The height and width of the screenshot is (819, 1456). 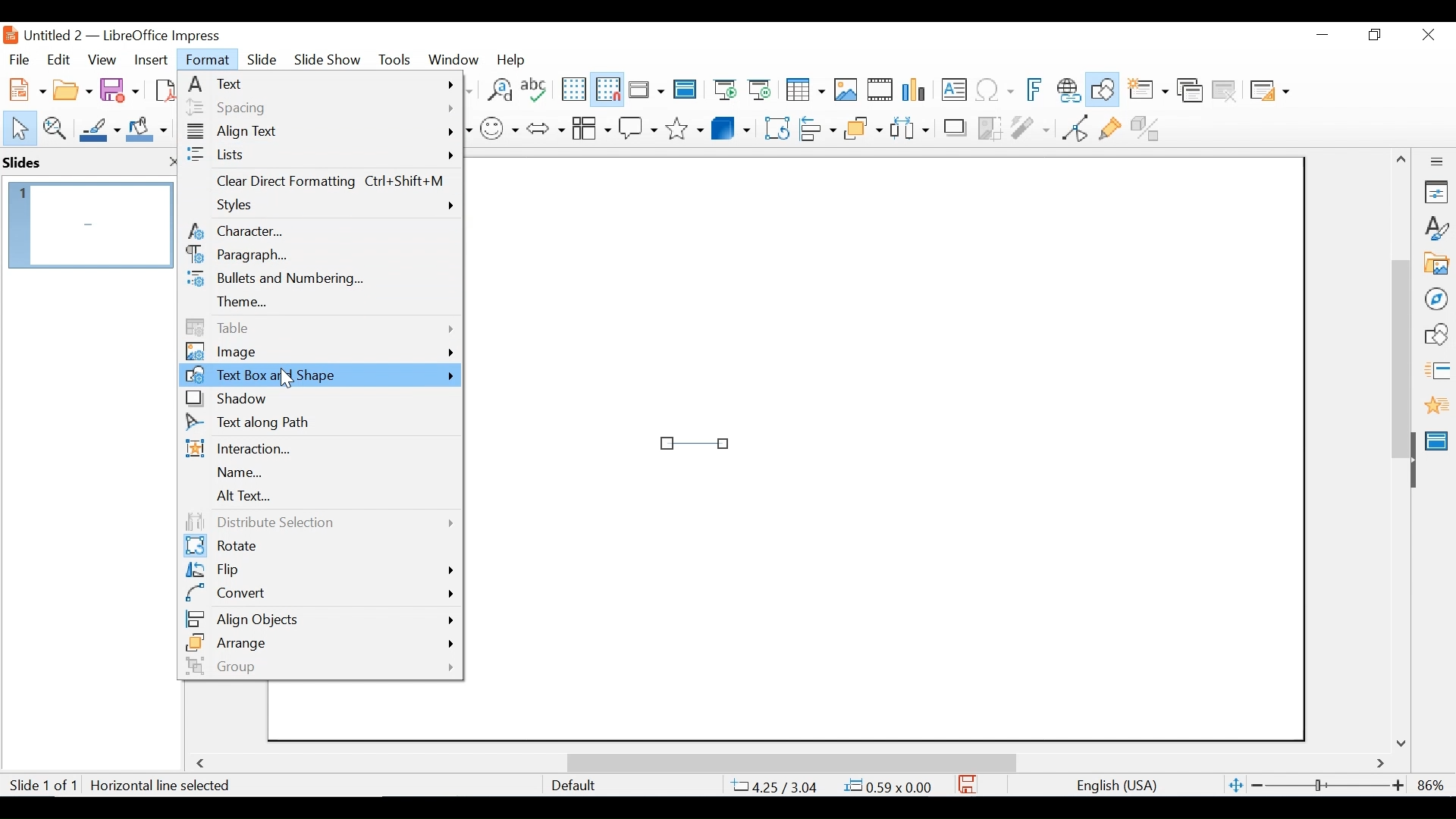 I want to click on Scroll up, so click(x=1402, y=159).